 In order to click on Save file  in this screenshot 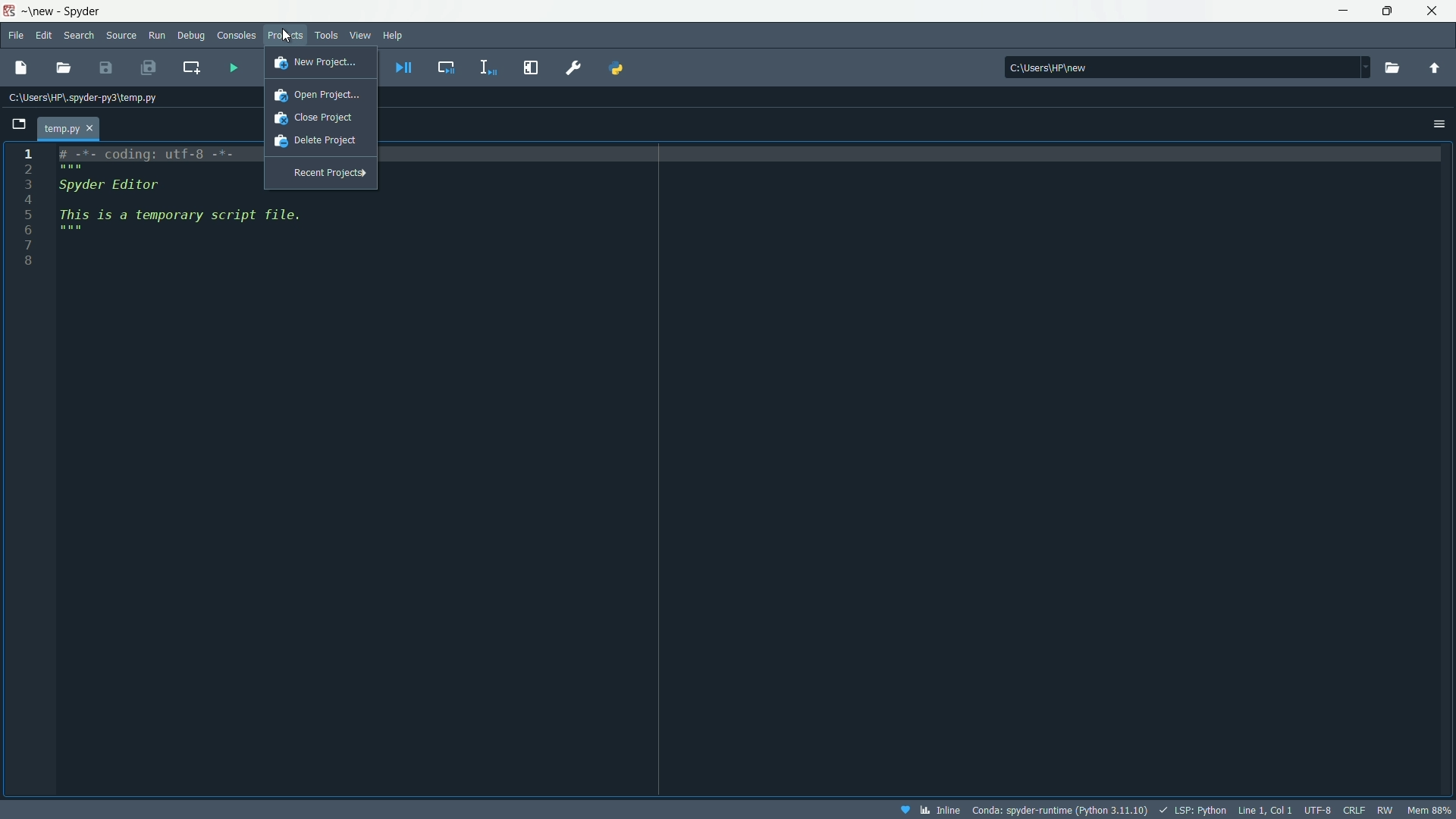, I will do `click(108, 69)`.